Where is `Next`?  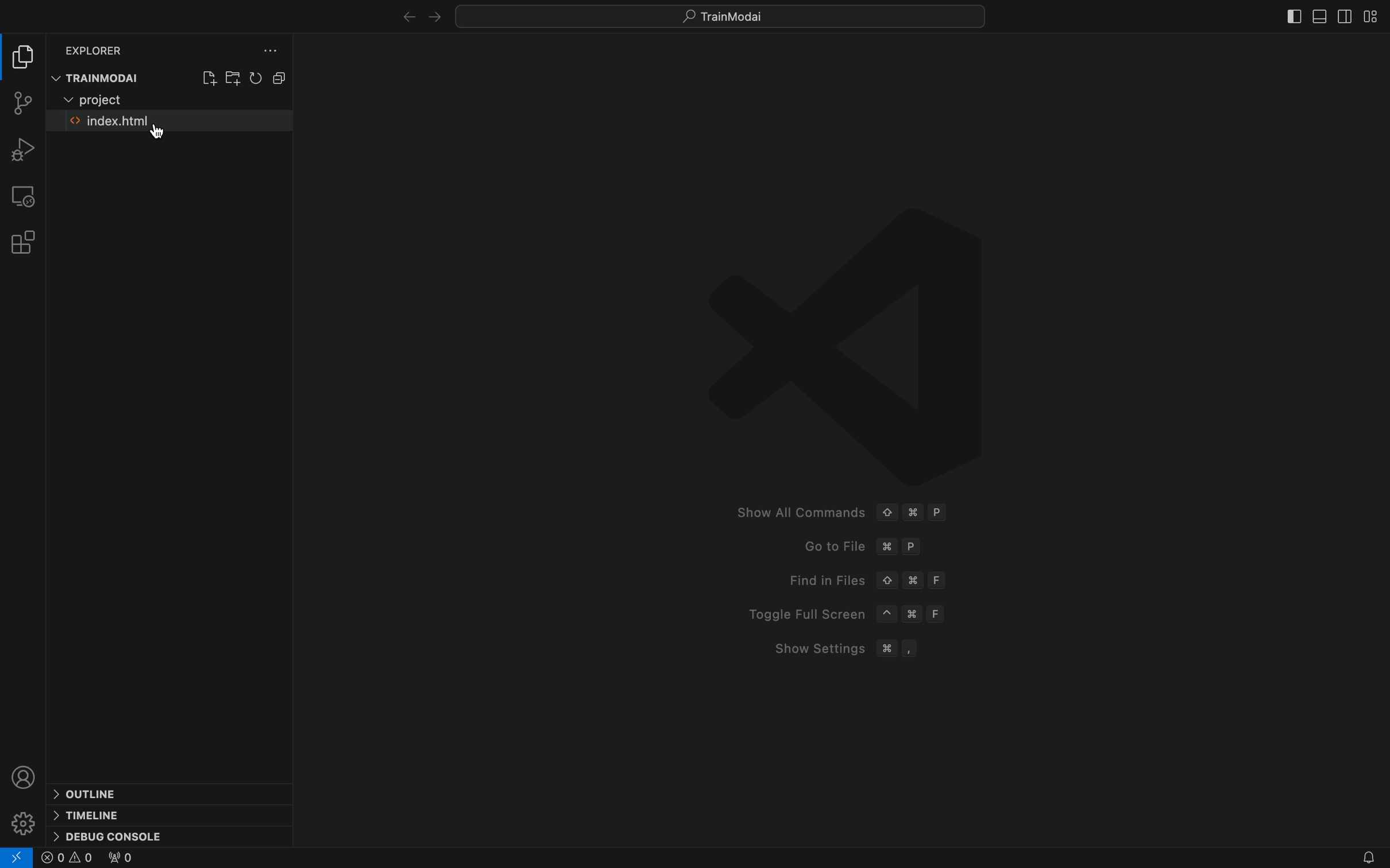
Next is located at coordinates (434, 17).